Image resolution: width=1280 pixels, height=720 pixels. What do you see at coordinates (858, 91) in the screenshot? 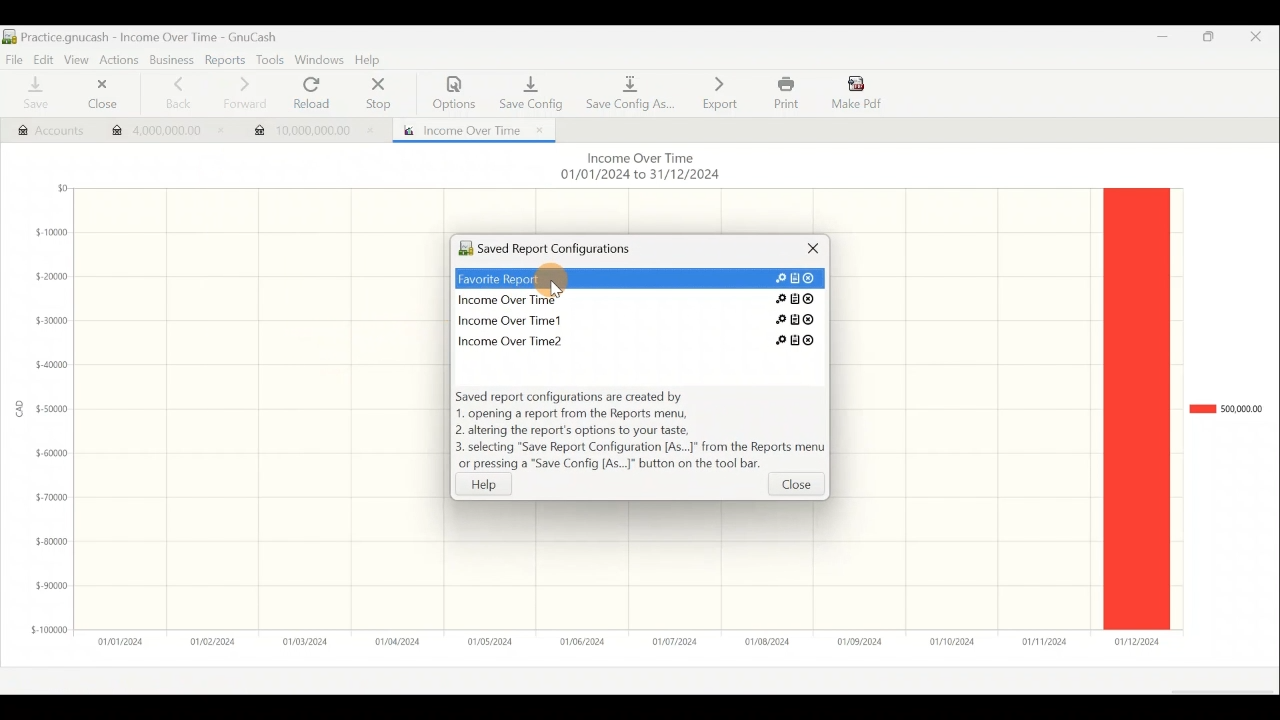
I see `Make Pdf` at bounding box center [858, 91].